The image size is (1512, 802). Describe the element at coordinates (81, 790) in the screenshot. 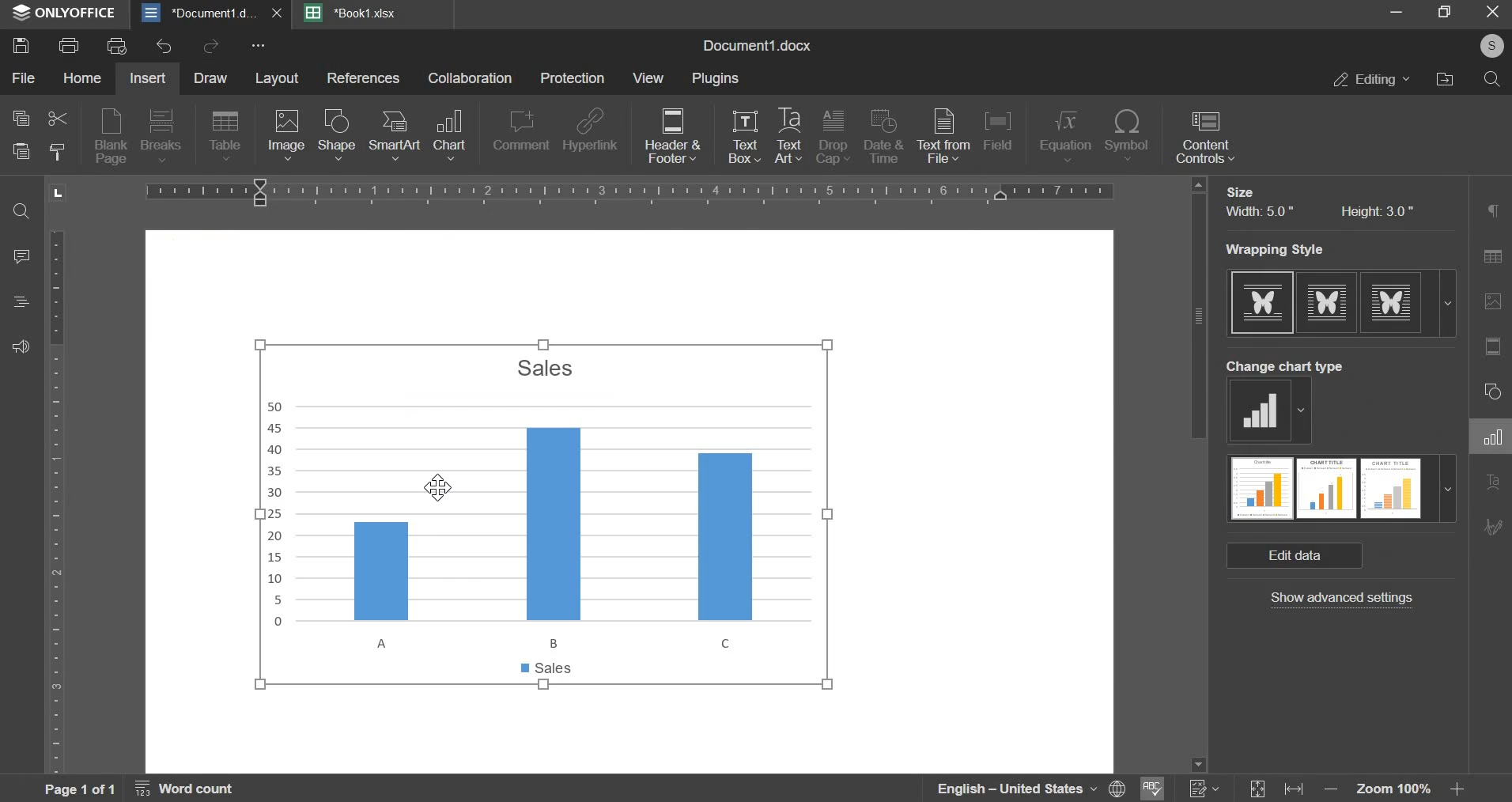

I see `Page 1 of 1` at that location.